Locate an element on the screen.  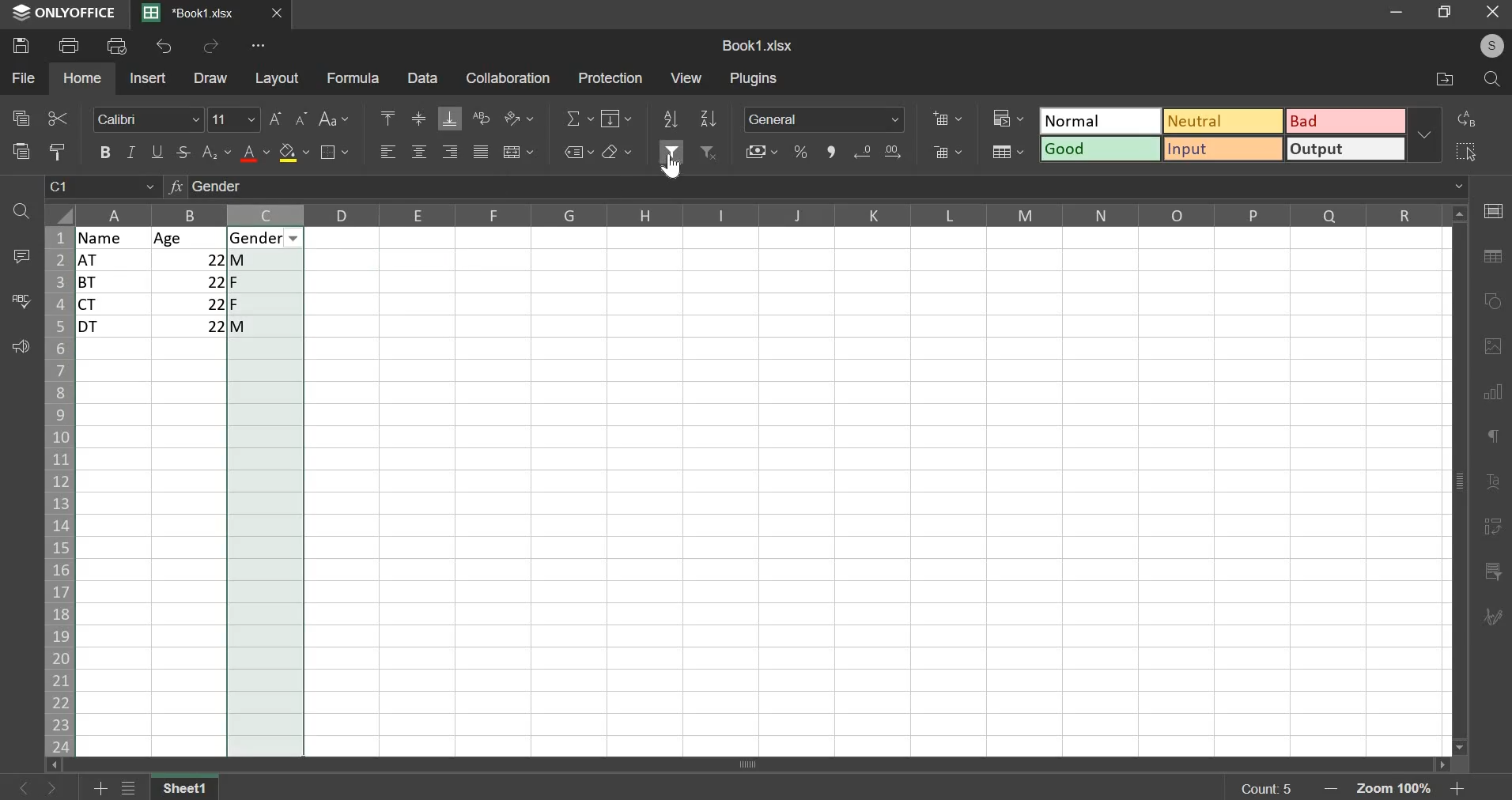
change case is located at coordinates (337, 119).